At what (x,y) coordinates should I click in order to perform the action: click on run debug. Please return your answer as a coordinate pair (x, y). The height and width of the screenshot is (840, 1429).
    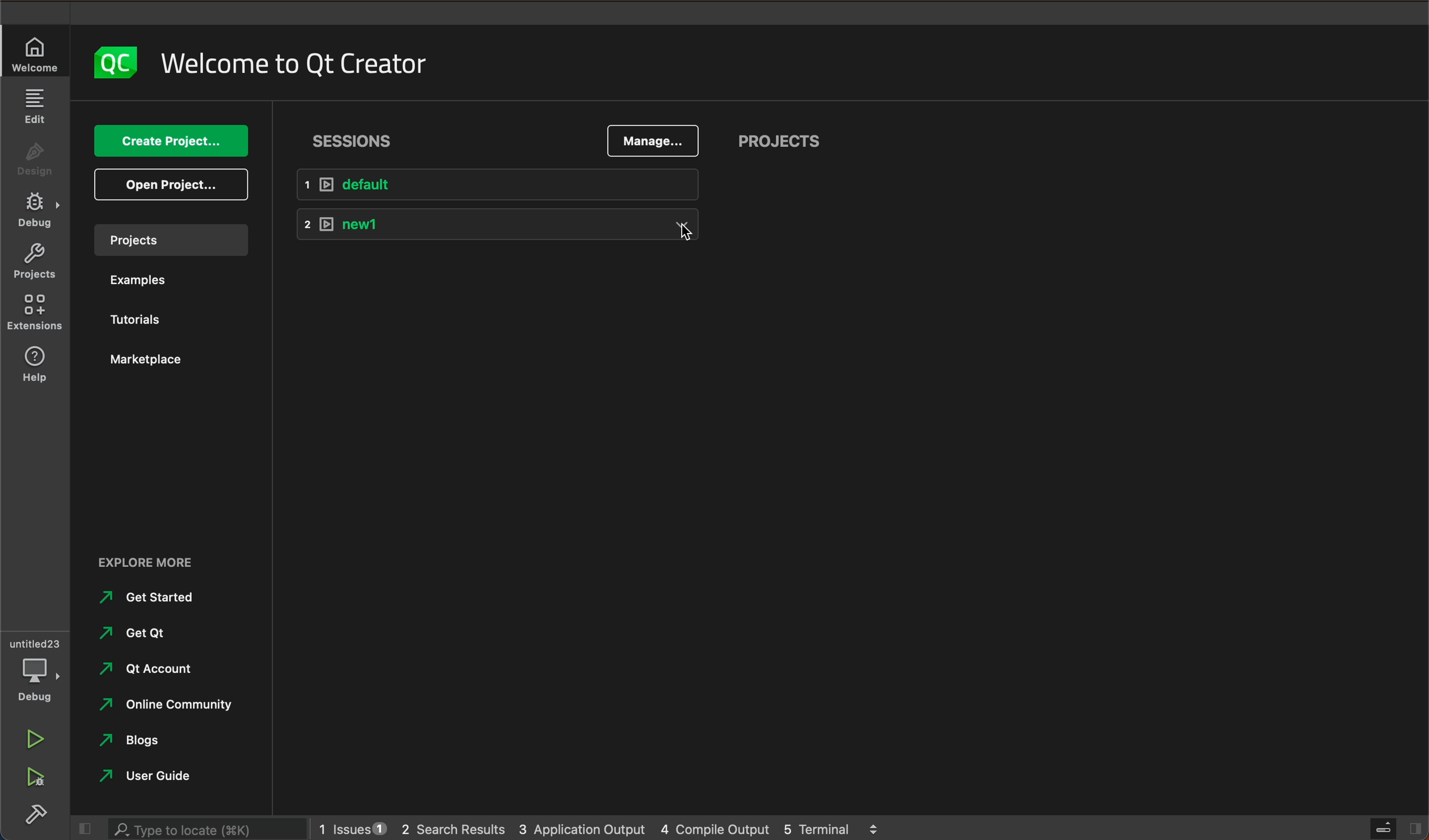
    Looking at the image, I should click on (32, 778).